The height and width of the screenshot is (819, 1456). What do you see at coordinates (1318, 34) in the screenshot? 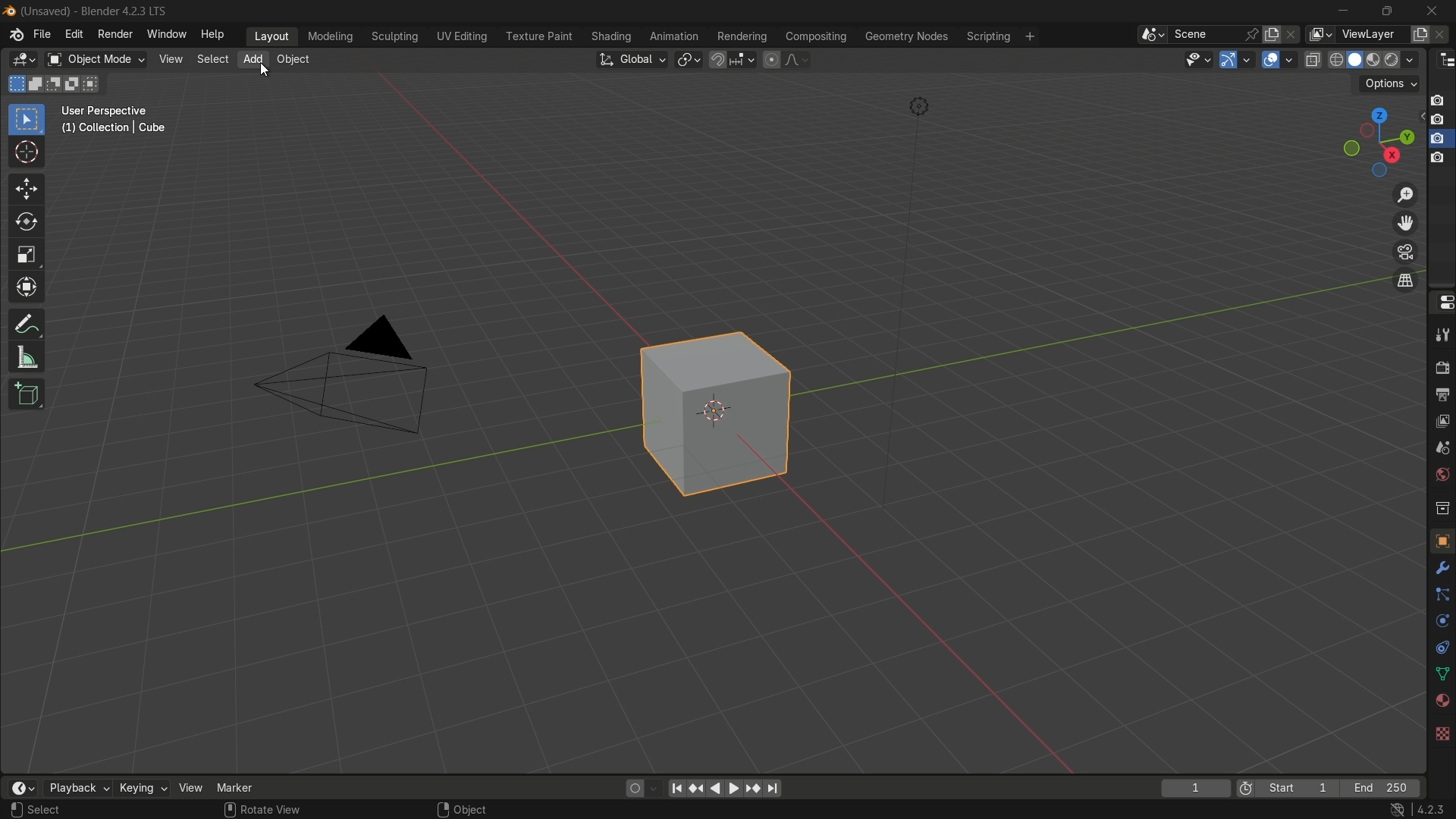
I see `view layer` at bounding box center [1318, 34].